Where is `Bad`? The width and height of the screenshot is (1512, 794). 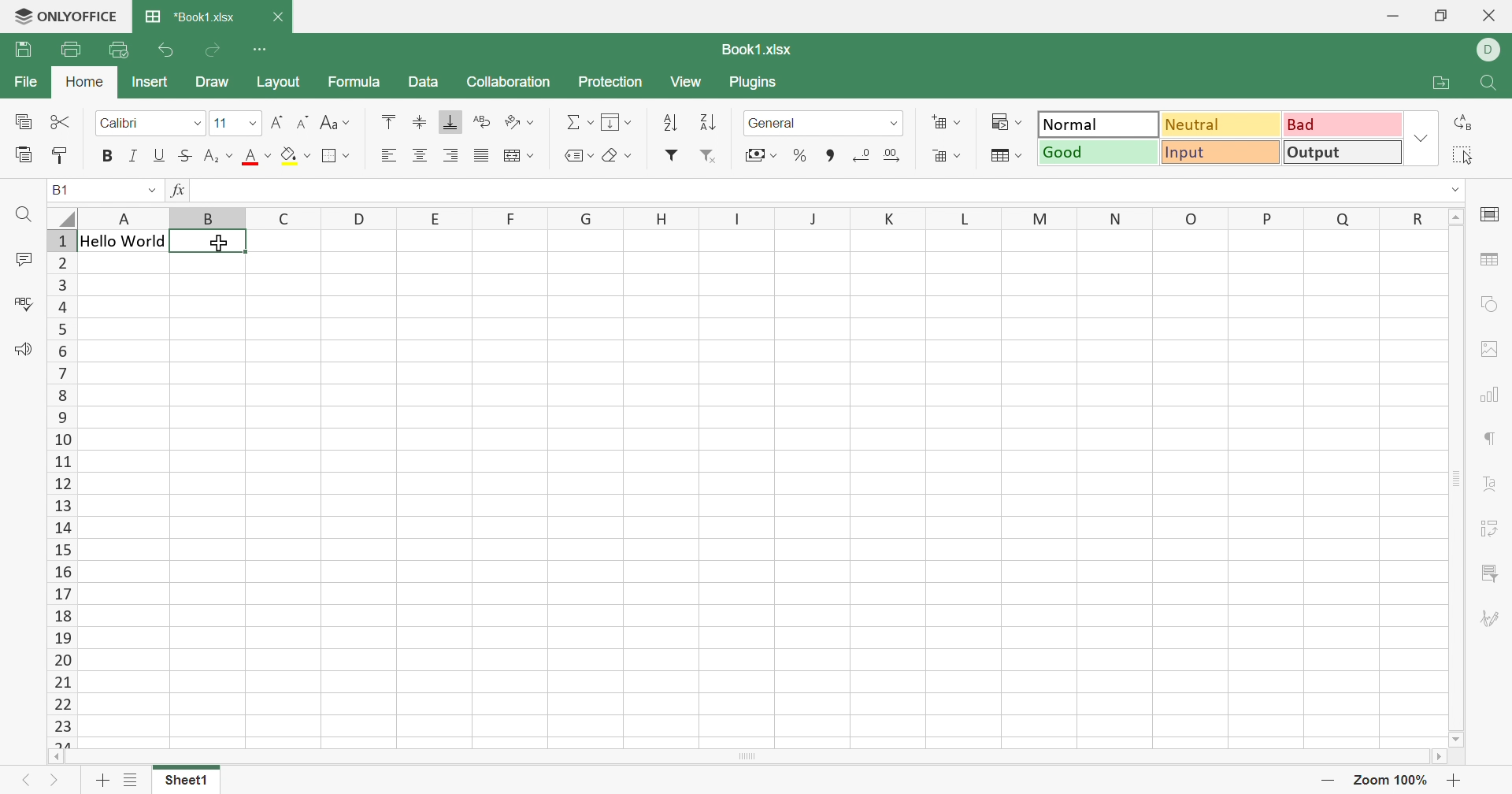 Bad is located at coordinates (1343, 123).